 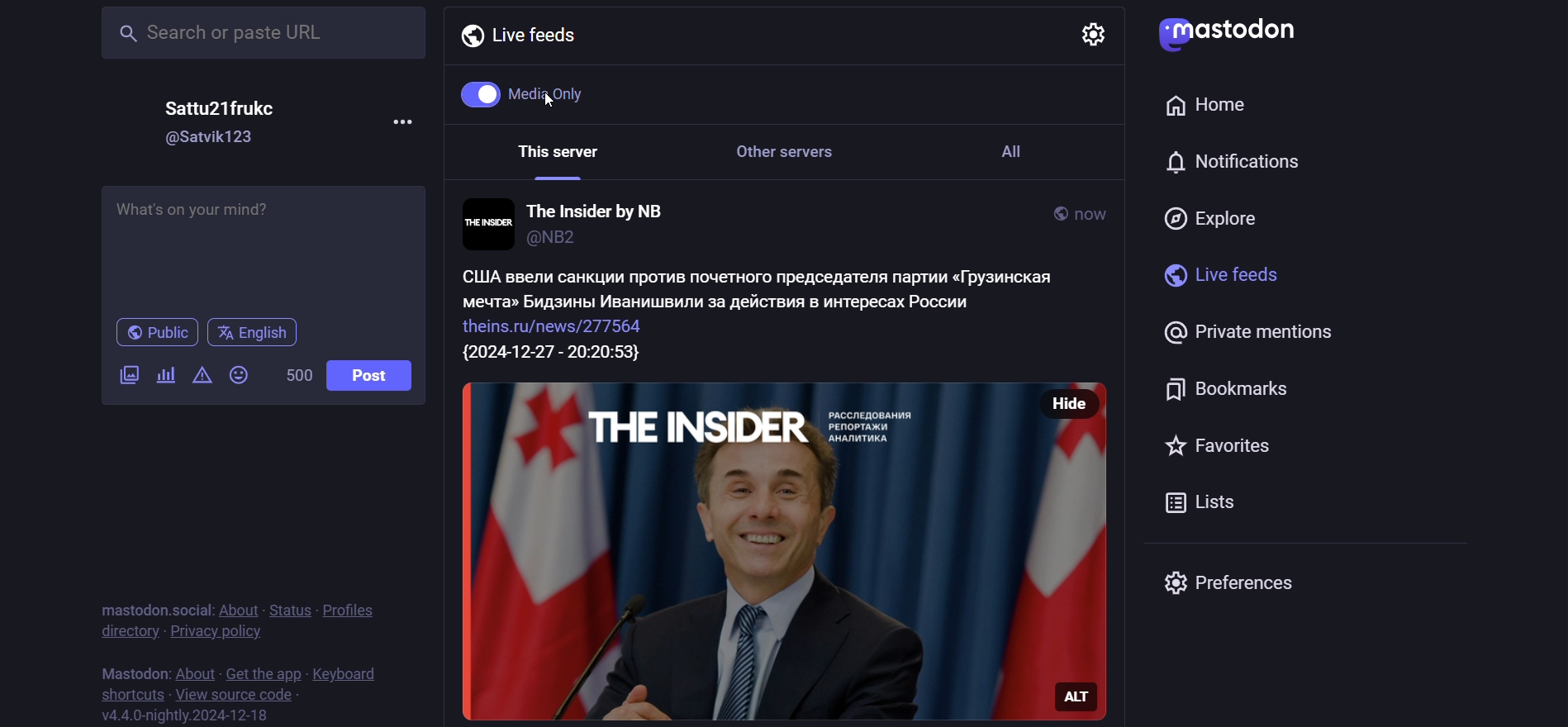 I want to click on shortcut, so click(x=126, y=694).